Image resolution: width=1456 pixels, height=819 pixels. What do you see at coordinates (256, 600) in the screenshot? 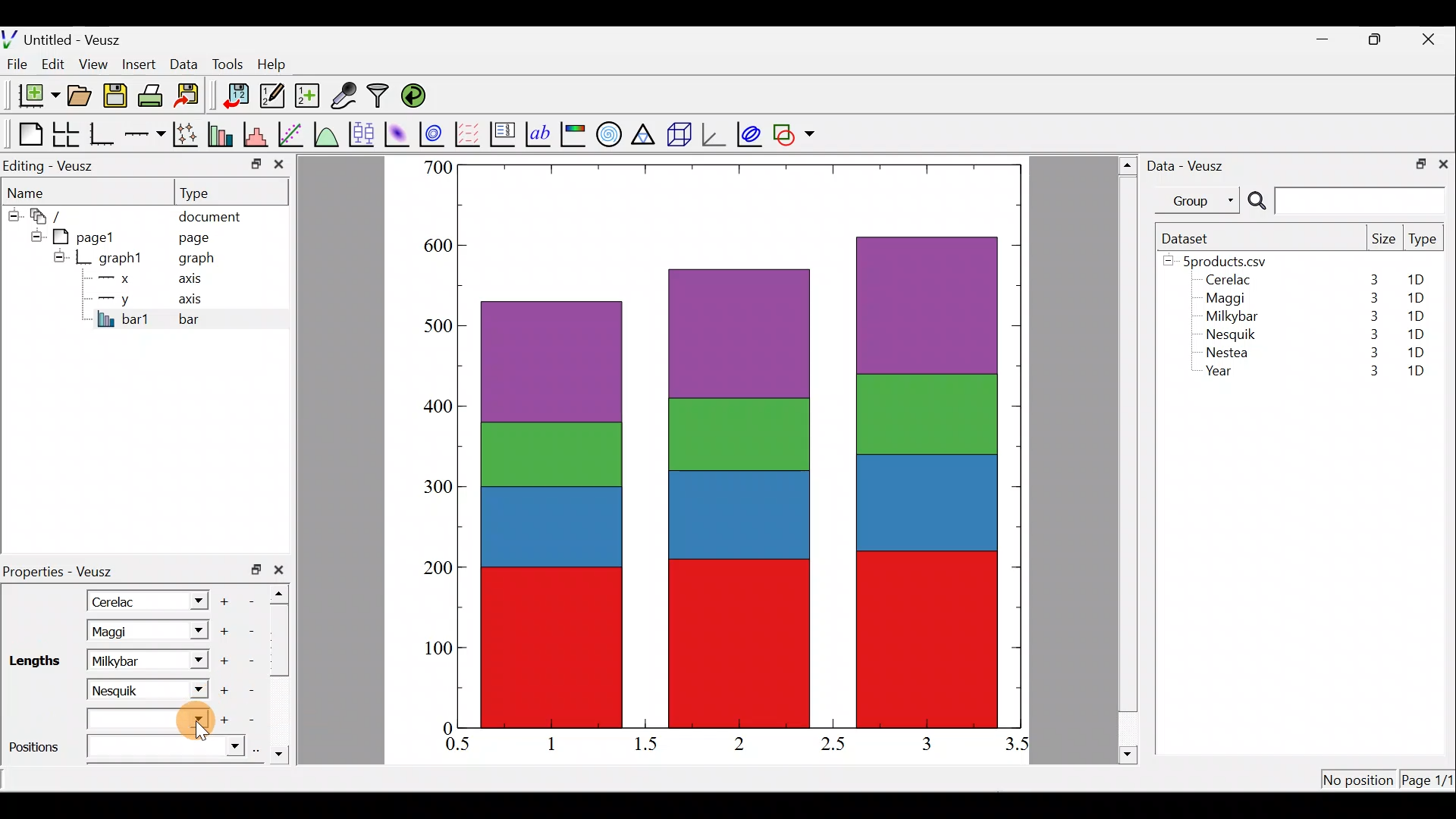
I see `Remove item` at bounding box center [256, 600].